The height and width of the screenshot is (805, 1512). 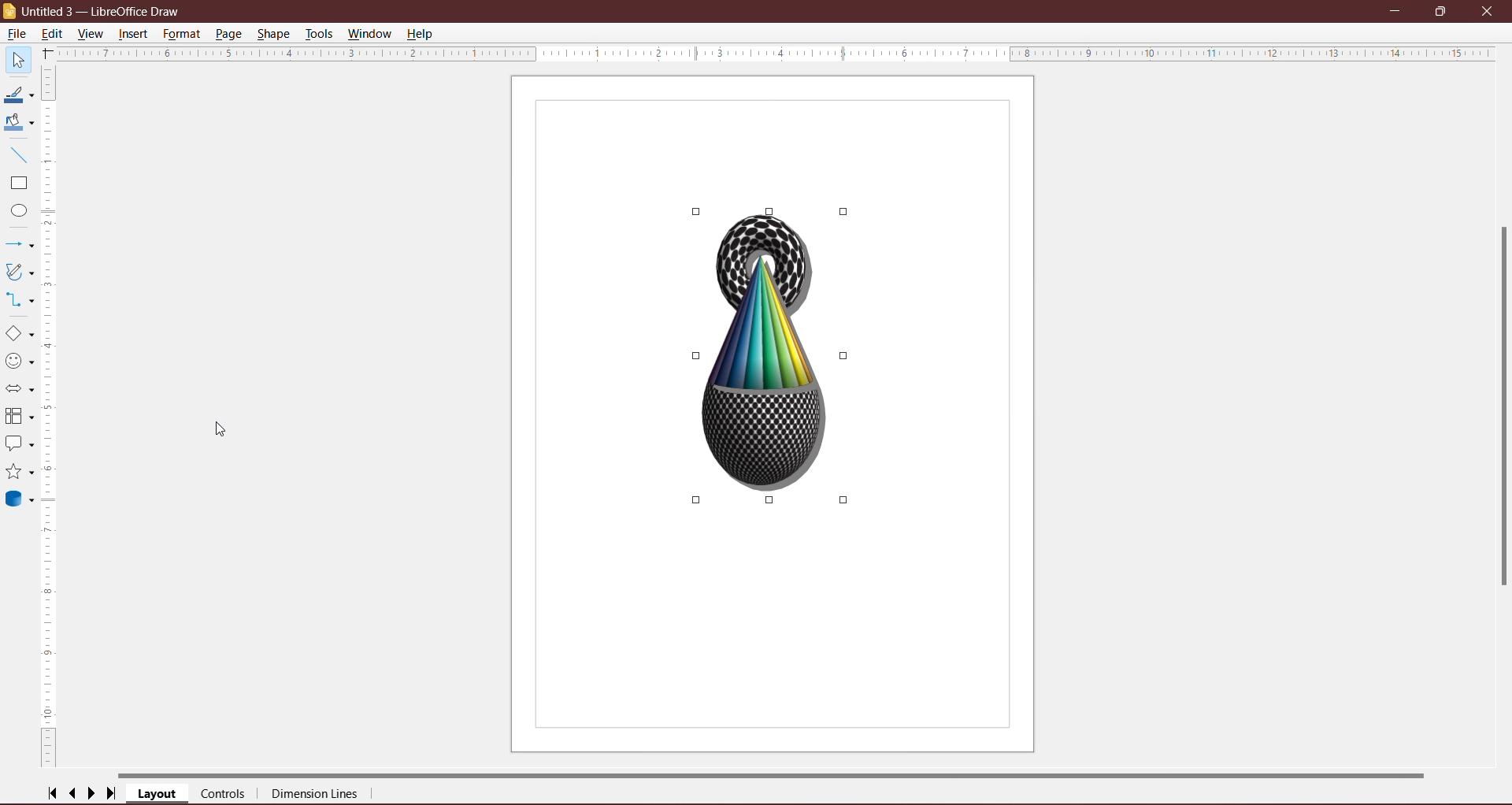 What do you see at coordinates (20, 417) in the screenshot?
I see `Flowchart` at bounding box center [20, 417].